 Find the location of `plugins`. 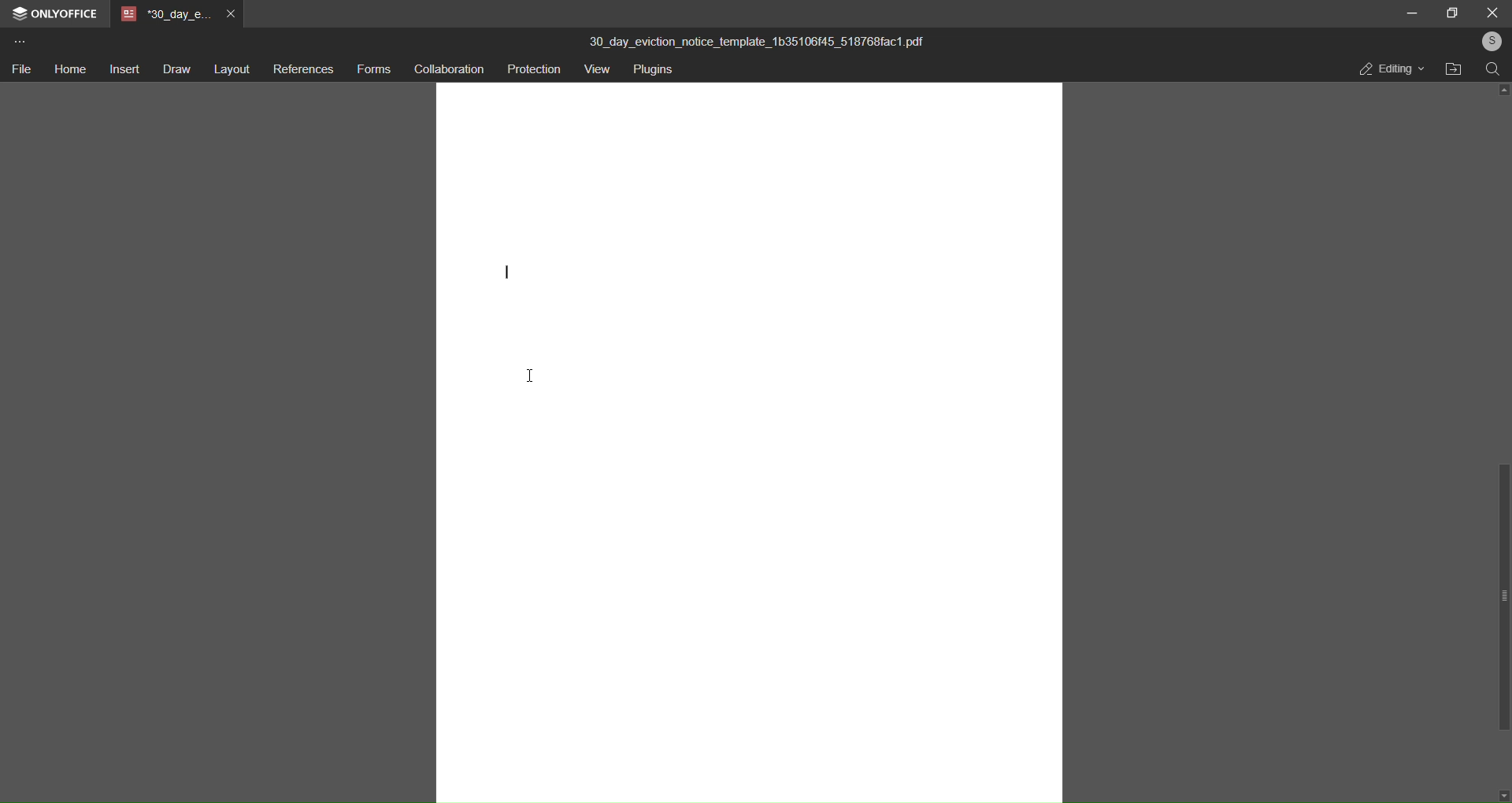

plugins is located at coordinates (653, 70).